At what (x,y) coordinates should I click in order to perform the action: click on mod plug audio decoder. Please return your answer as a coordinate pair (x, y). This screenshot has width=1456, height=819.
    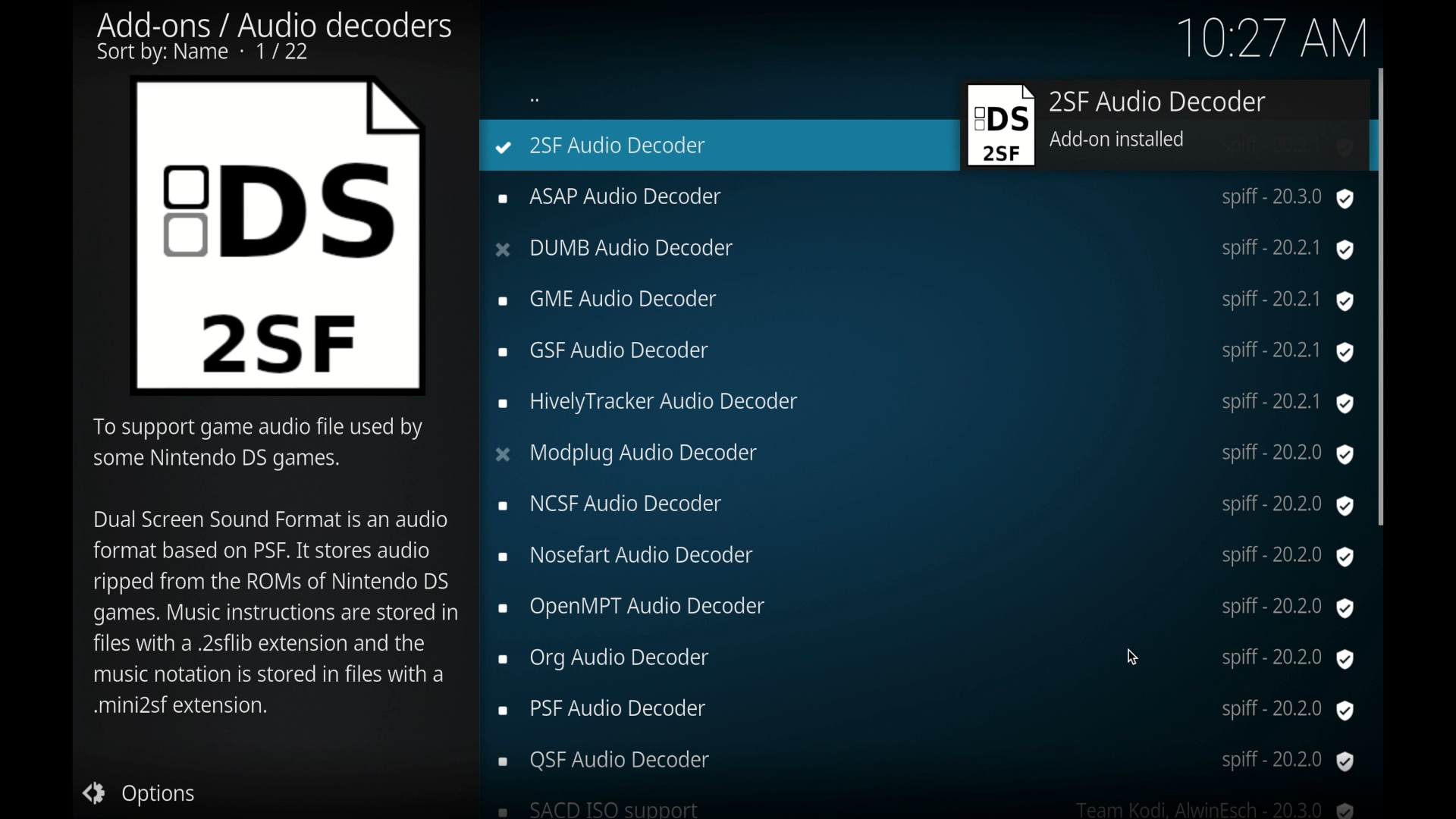
    Looking at the image, I should click on (924, 454).